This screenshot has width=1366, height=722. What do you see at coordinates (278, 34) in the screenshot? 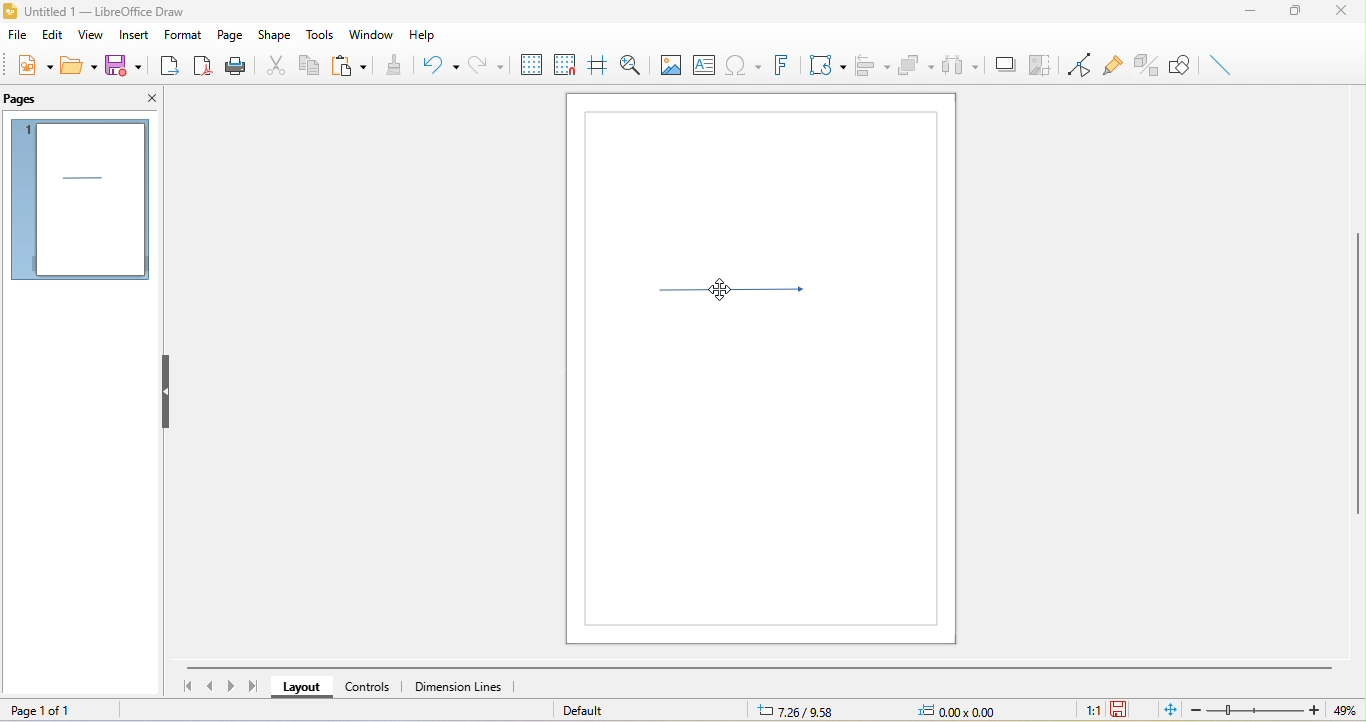
I see `shape` at bounding box center [278, 34].